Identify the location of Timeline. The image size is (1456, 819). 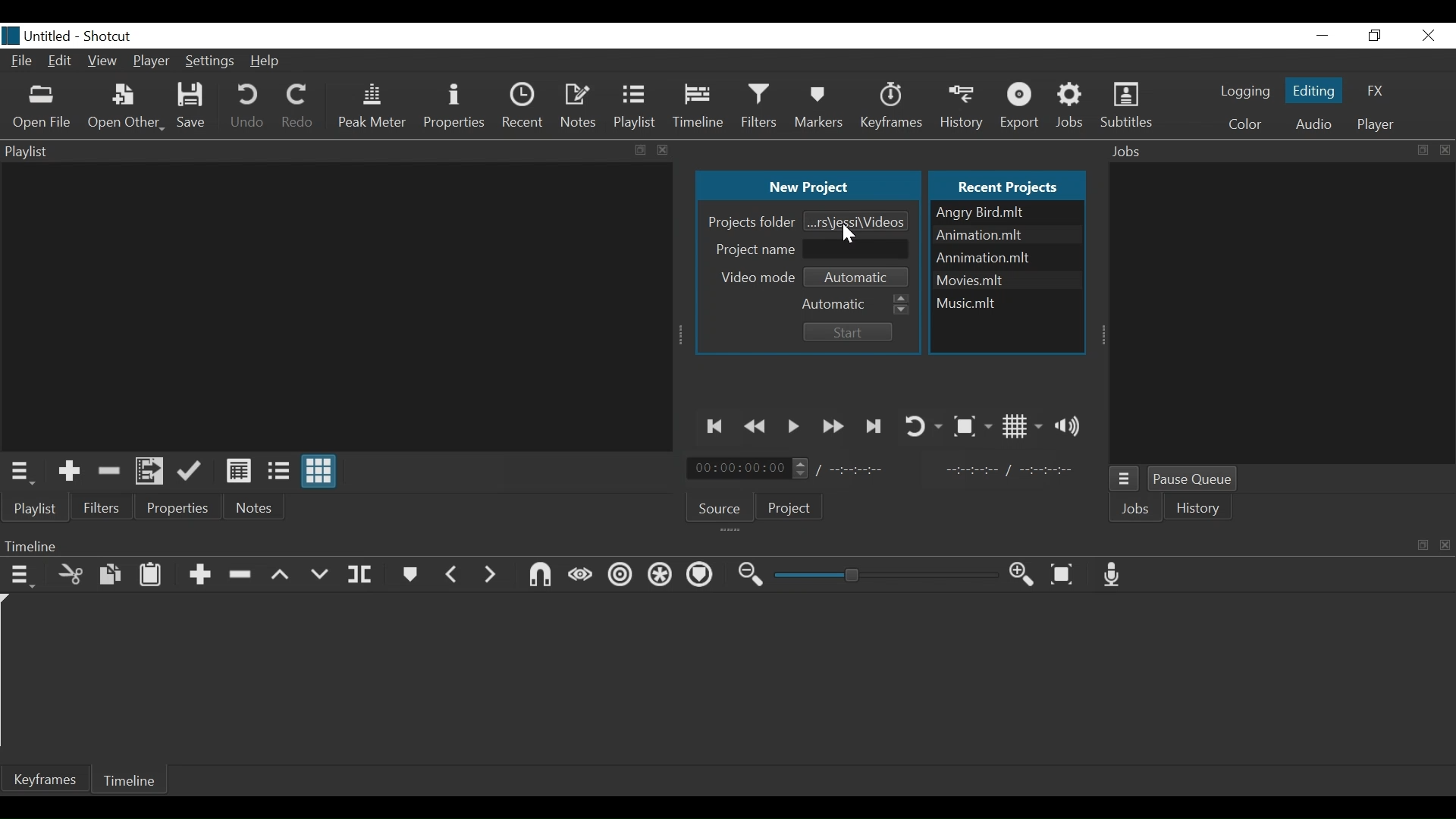
(133, 779).